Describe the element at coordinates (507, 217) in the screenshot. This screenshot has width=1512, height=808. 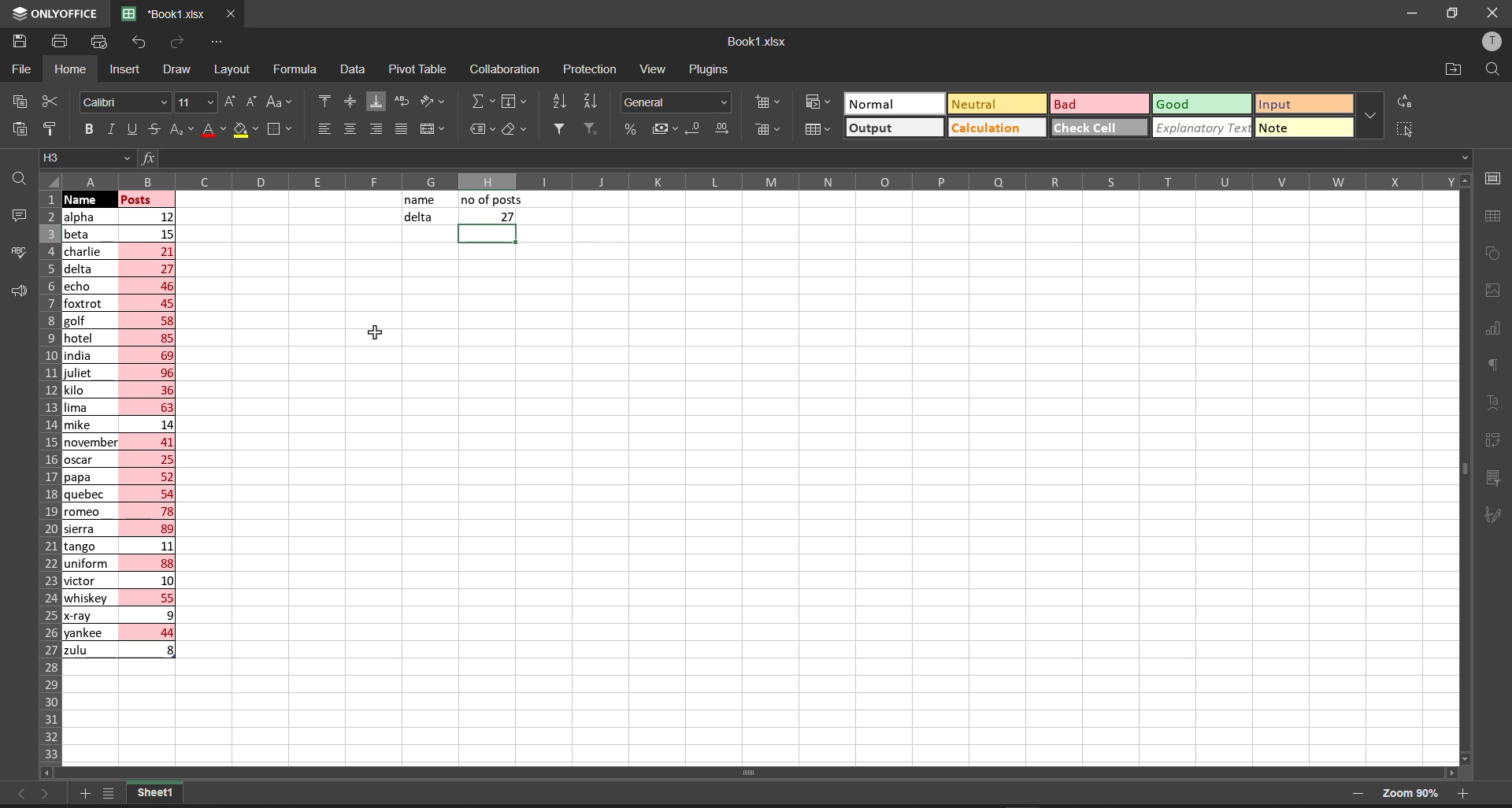
I see `27` at that location.